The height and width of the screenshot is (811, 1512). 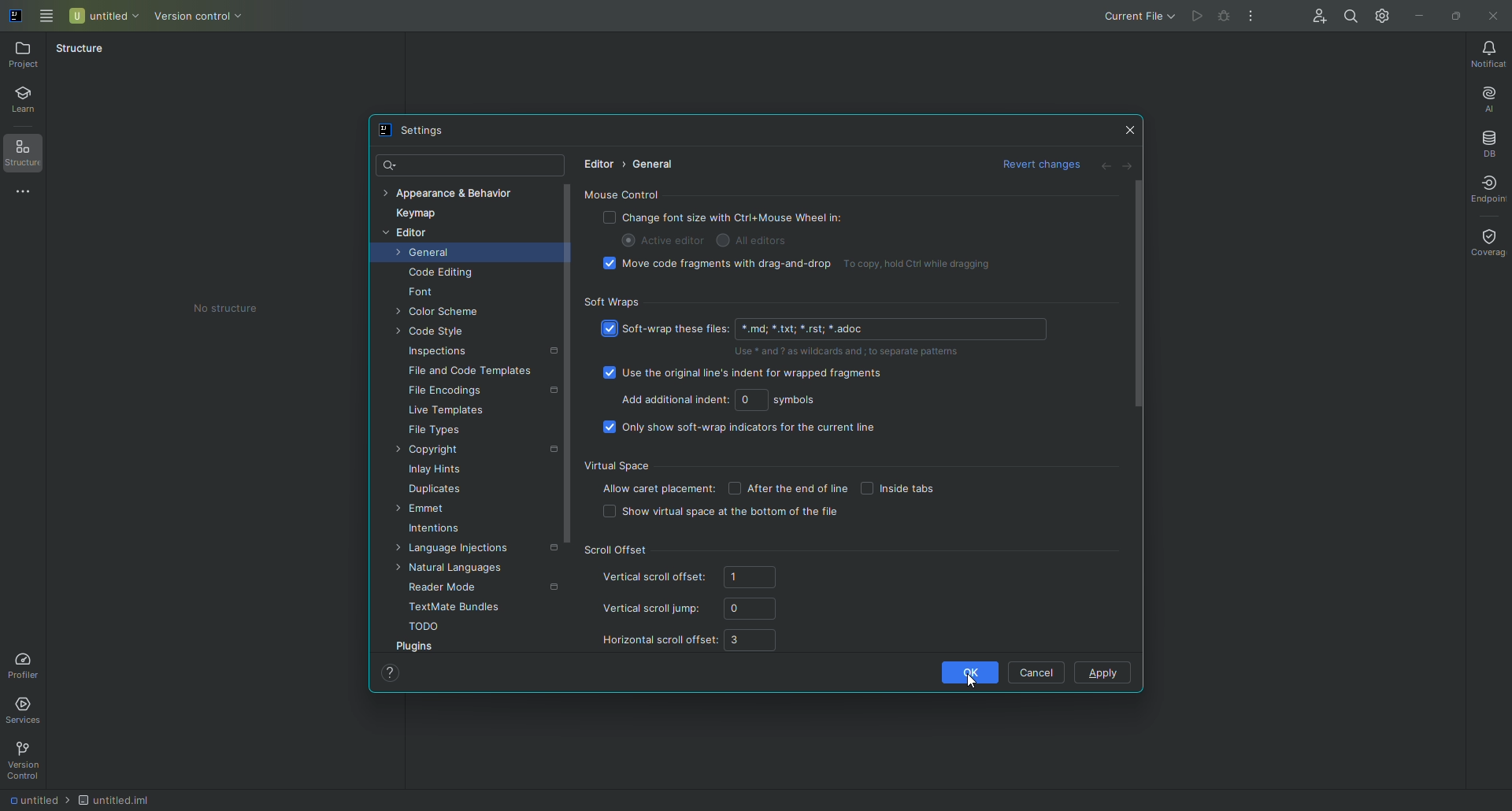 I want to click on Horizontal scroll offset, so click(x=693, y=641).